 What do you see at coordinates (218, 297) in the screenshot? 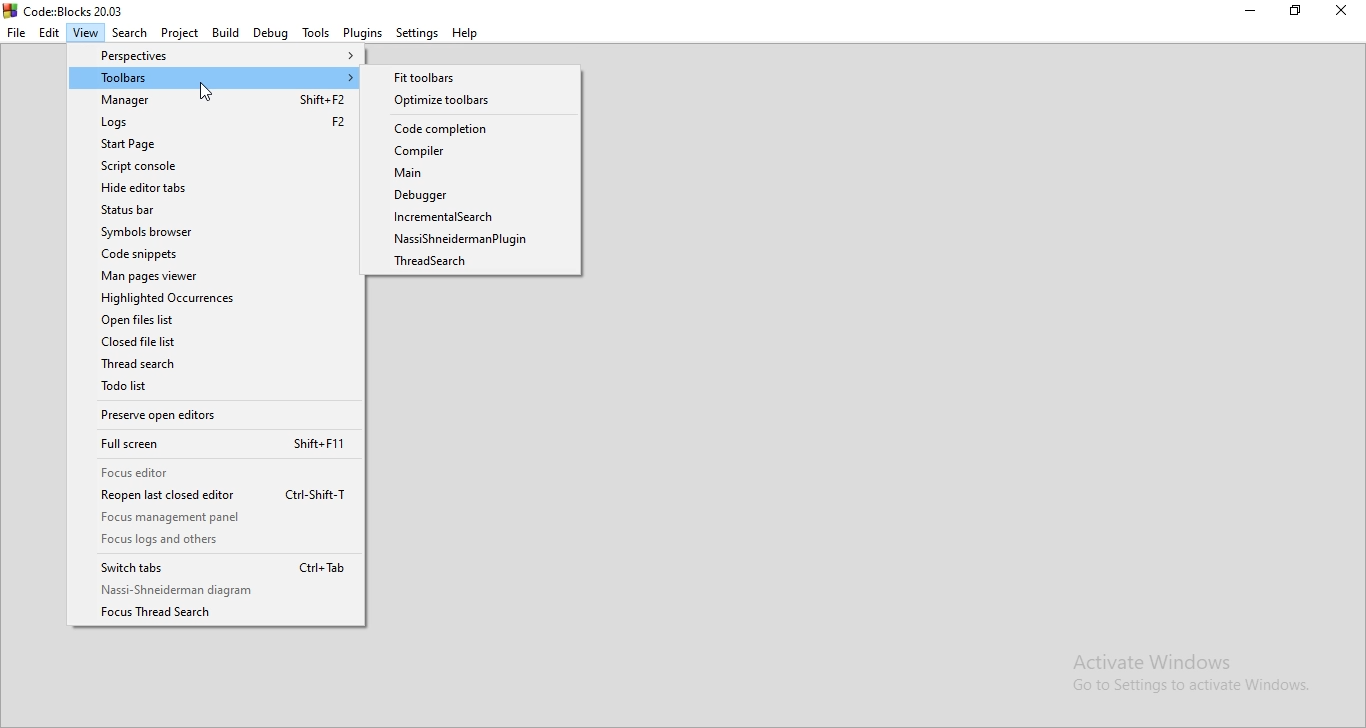
I see `Highlighted Occurences` at bounding box center [218, 297].